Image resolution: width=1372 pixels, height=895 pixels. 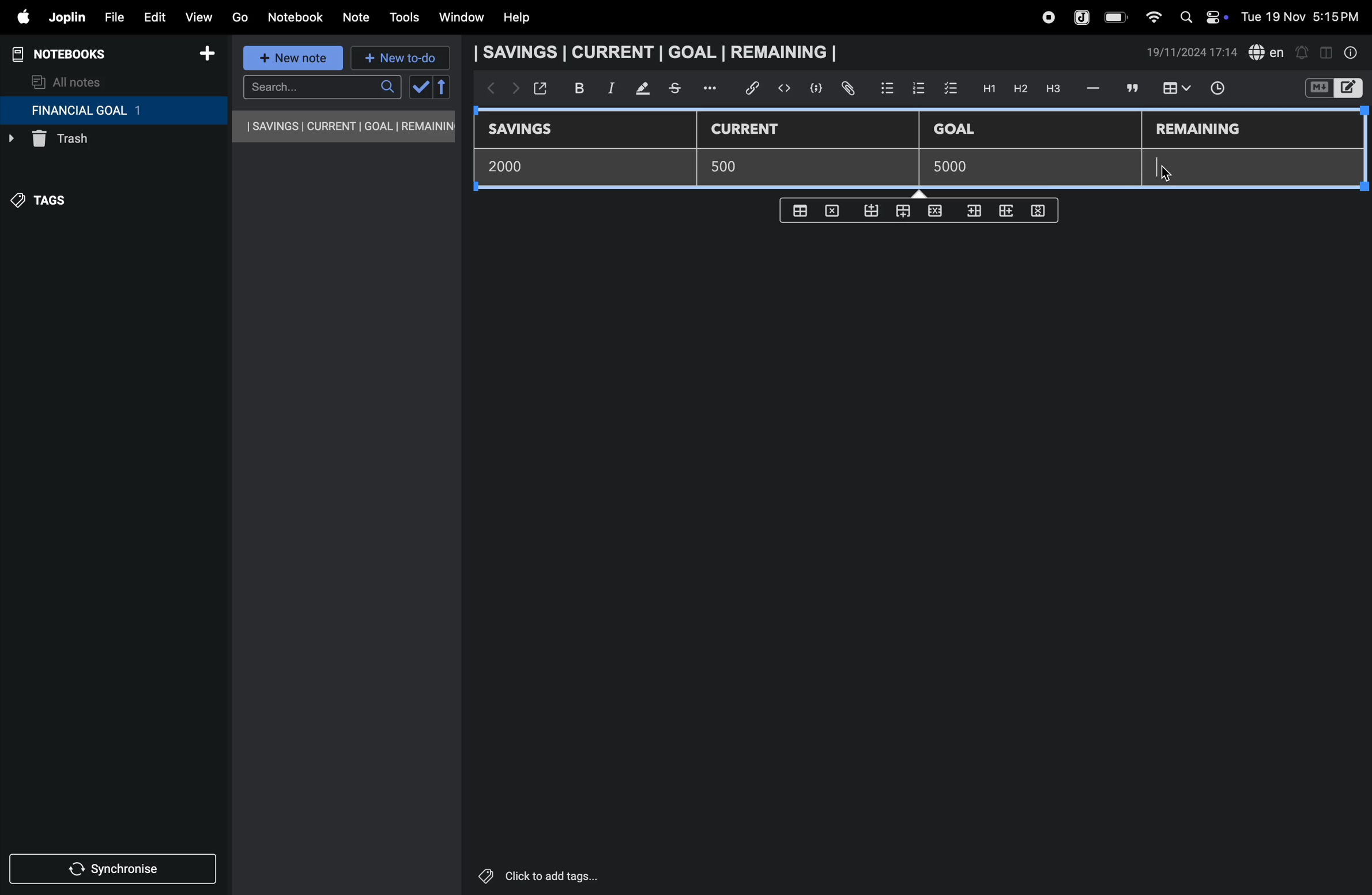 What do you see at coordinates (659, 52) in the screenshot?
I see `savings current goal remaining` at bounding box center [659, 52].